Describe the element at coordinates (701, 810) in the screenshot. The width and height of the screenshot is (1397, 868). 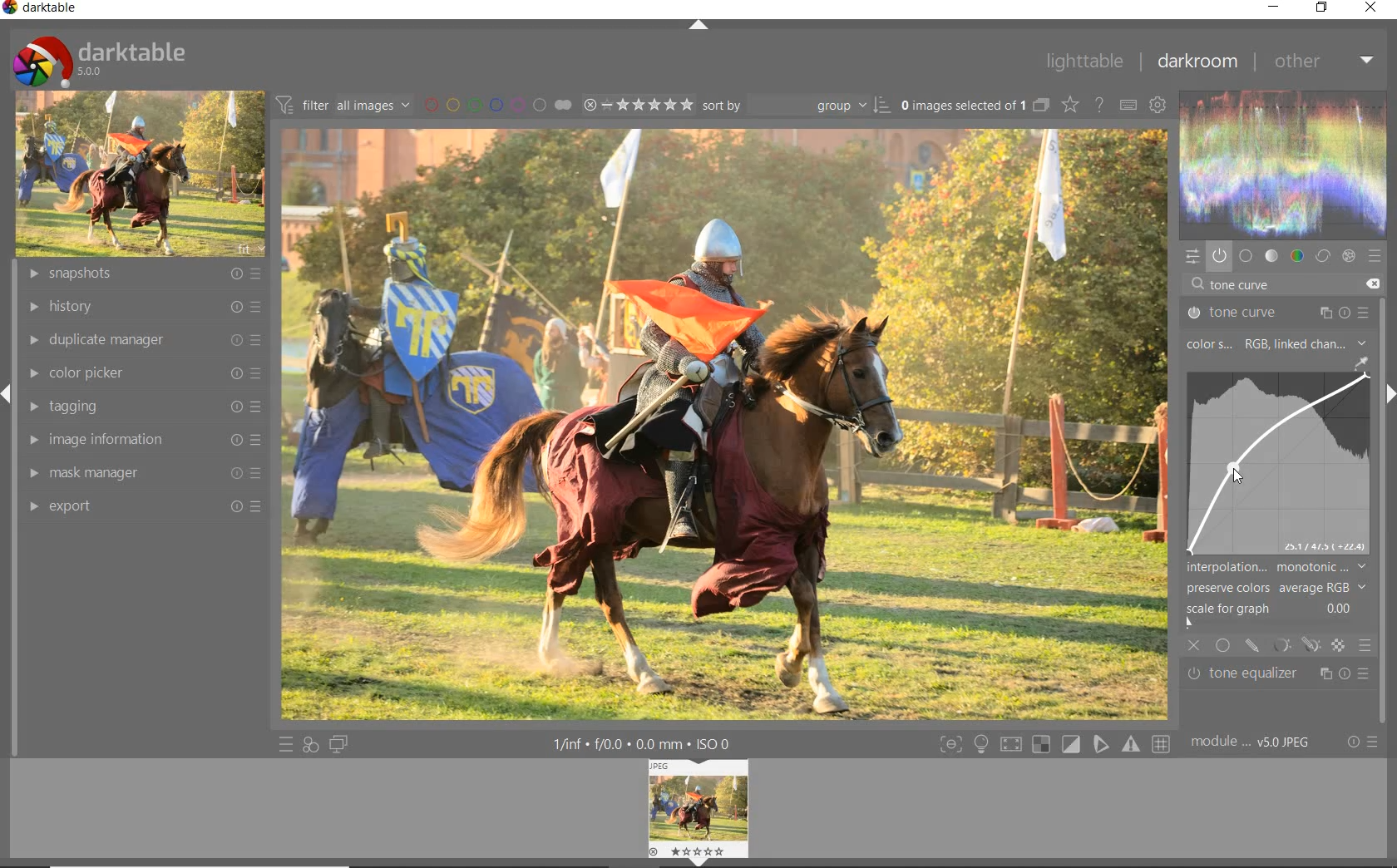
I see `Image preview` at that location.